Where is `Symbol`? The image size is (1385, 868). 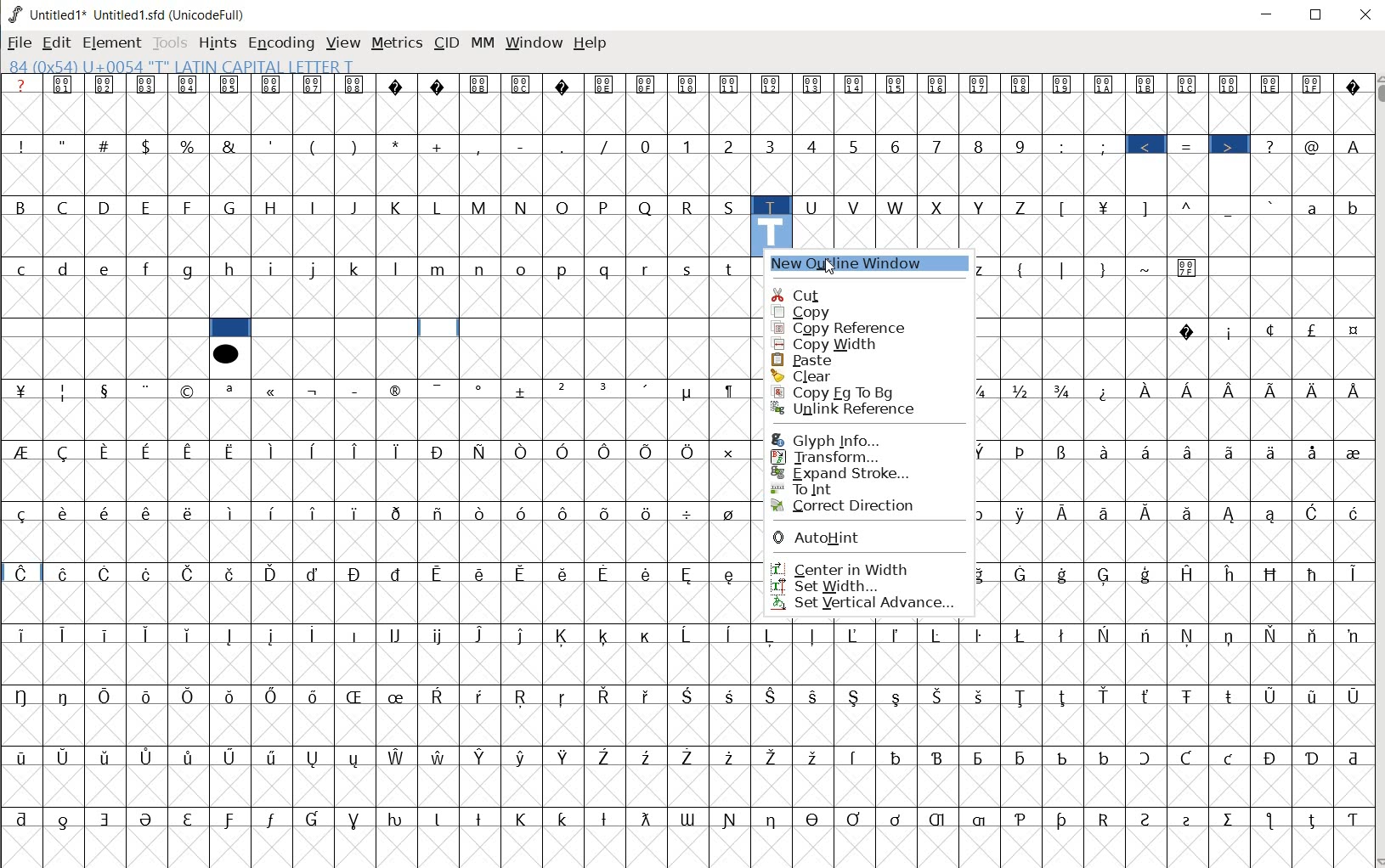
Symbol is located at coordinates (63, 513).